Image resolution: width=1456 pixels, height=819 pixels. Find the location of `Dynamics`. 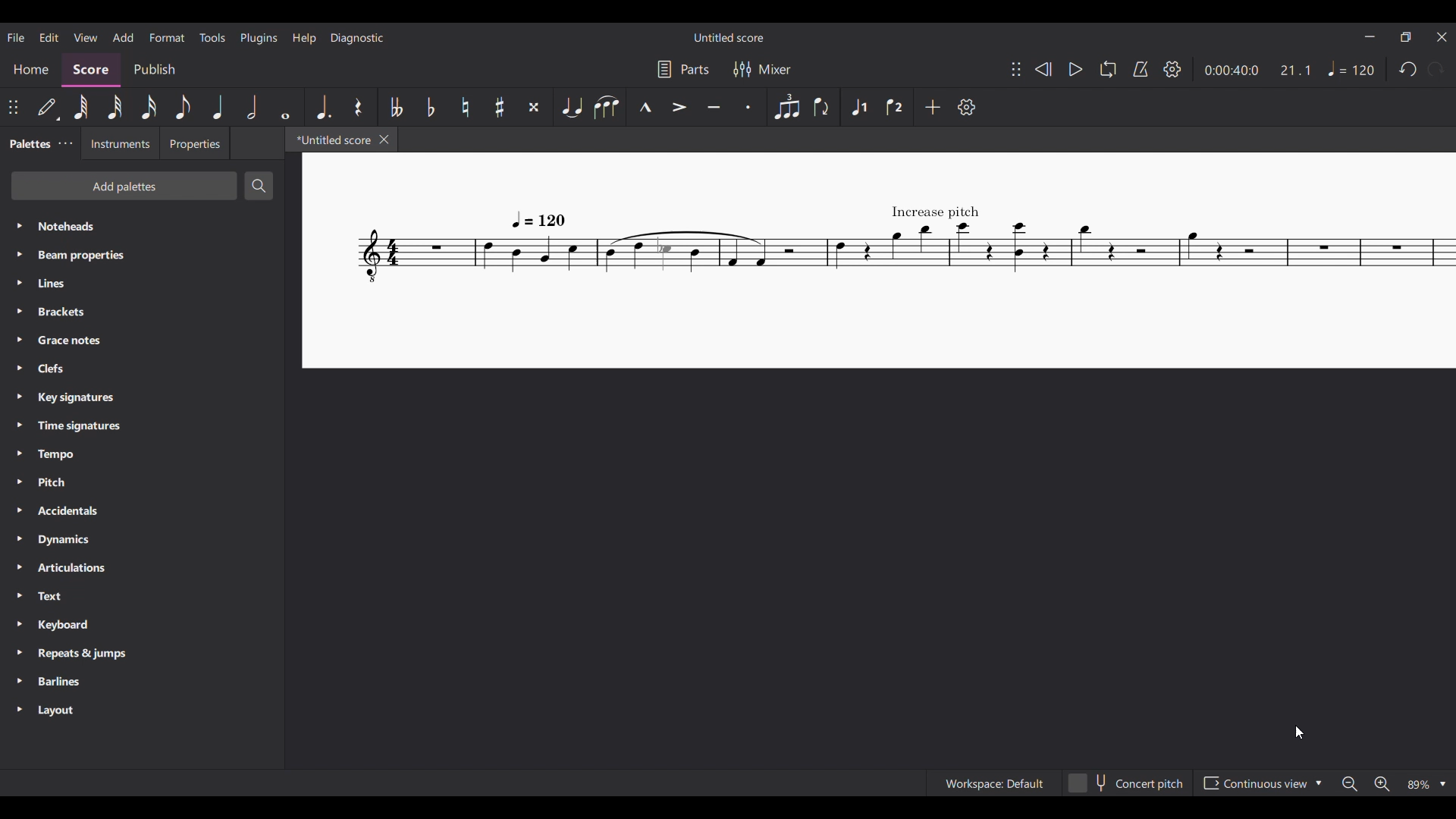

Dynamics is located at coordinates (141, 540).